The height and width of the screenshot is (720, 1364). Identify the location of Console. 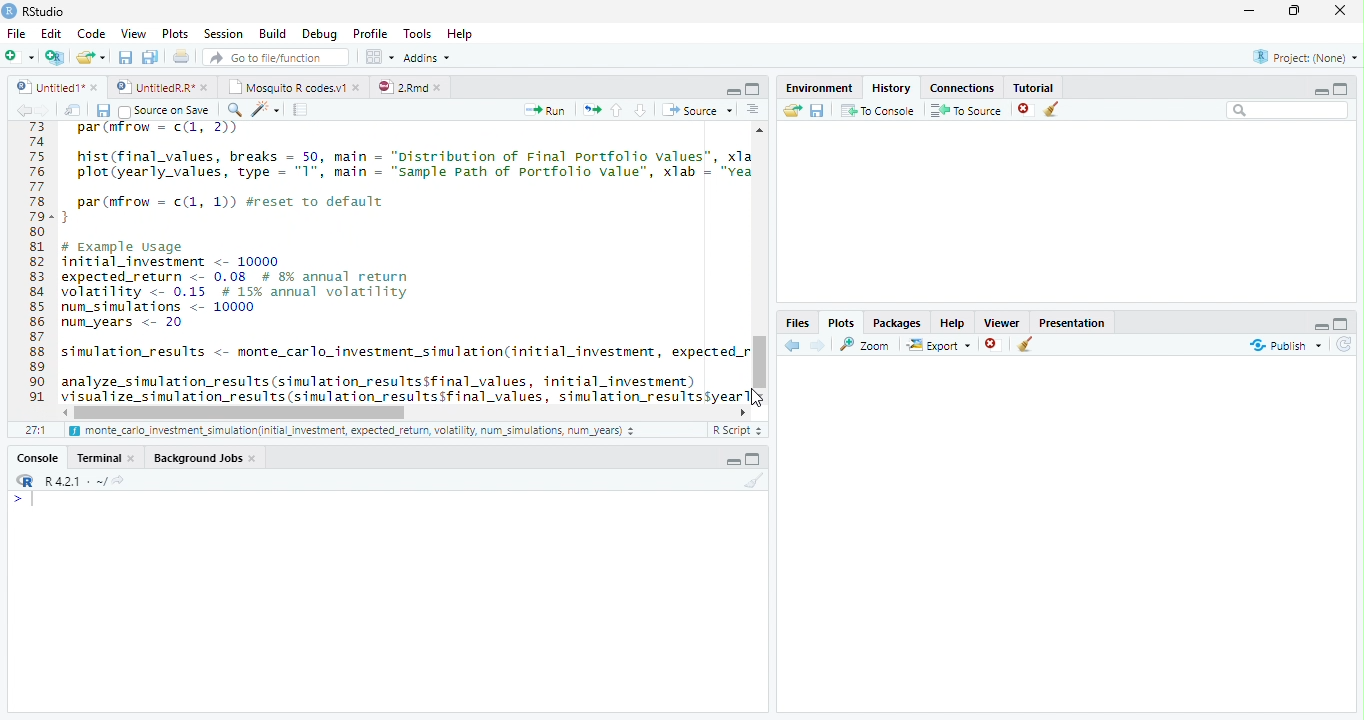
(387, 601).